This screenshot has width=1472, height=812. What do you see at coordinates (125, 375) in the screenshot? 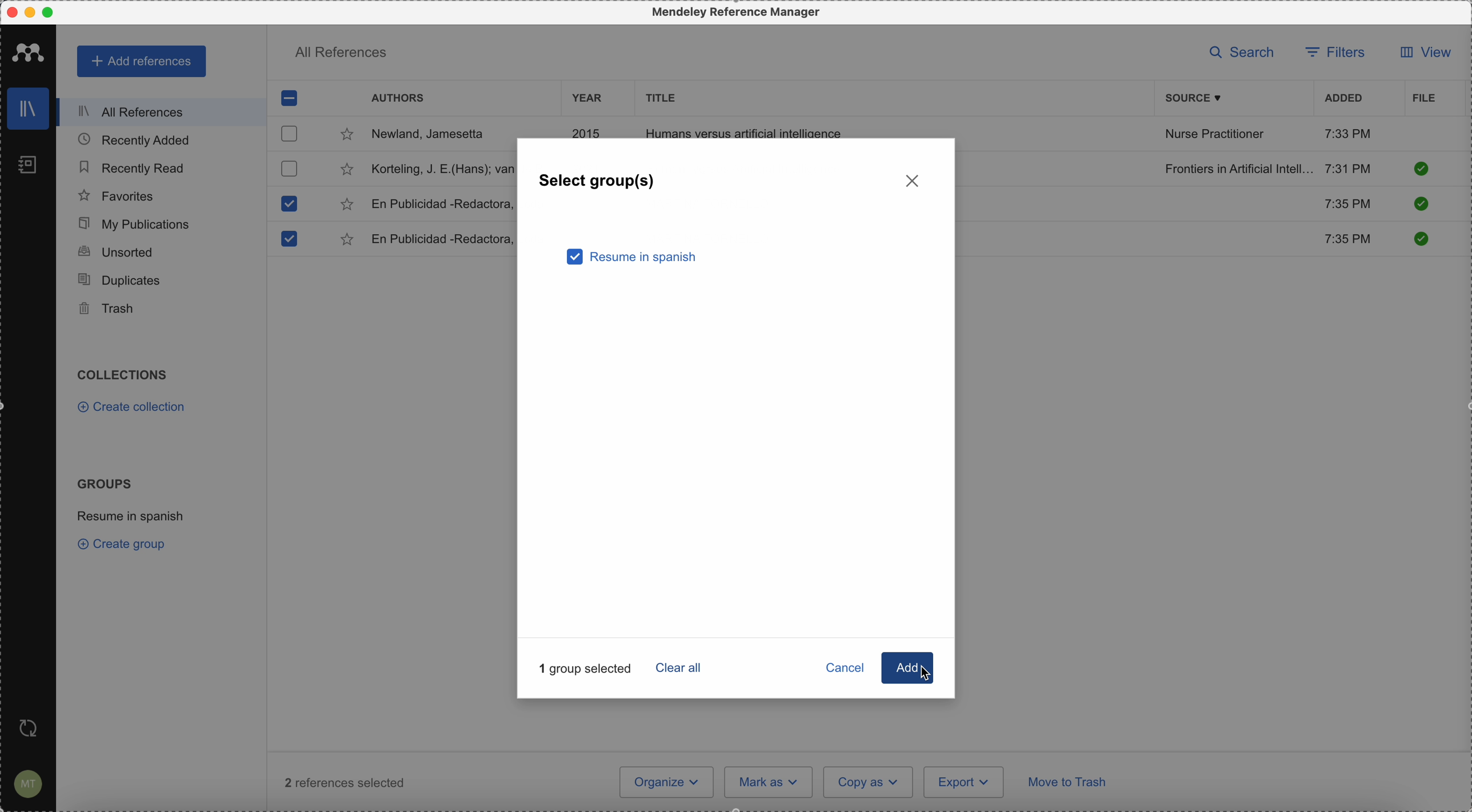
I see `collections` at bounding box center [125, 375].